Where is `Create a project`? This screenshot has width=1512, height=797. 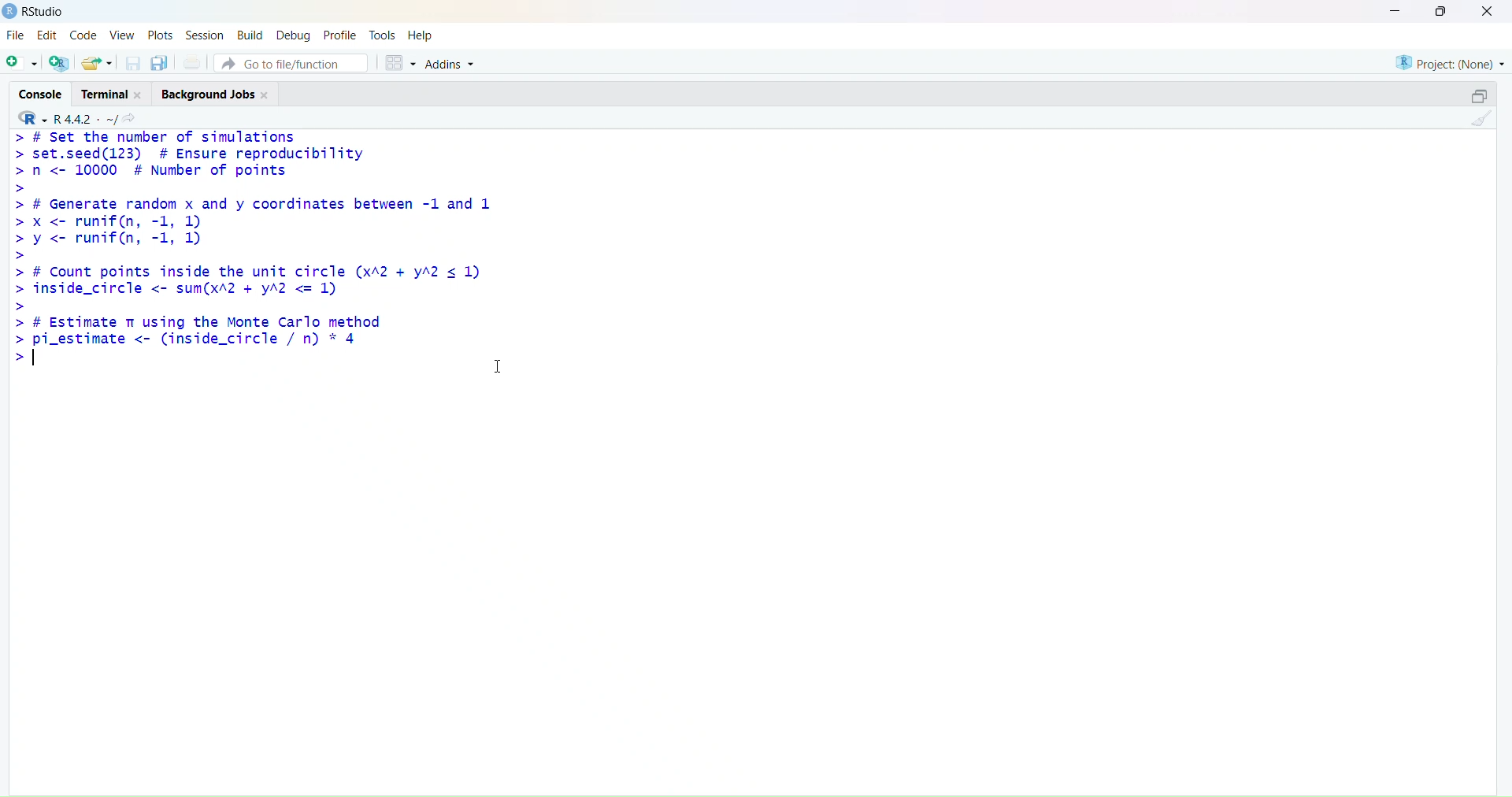
Create a project is located at coordinates (62, 61).